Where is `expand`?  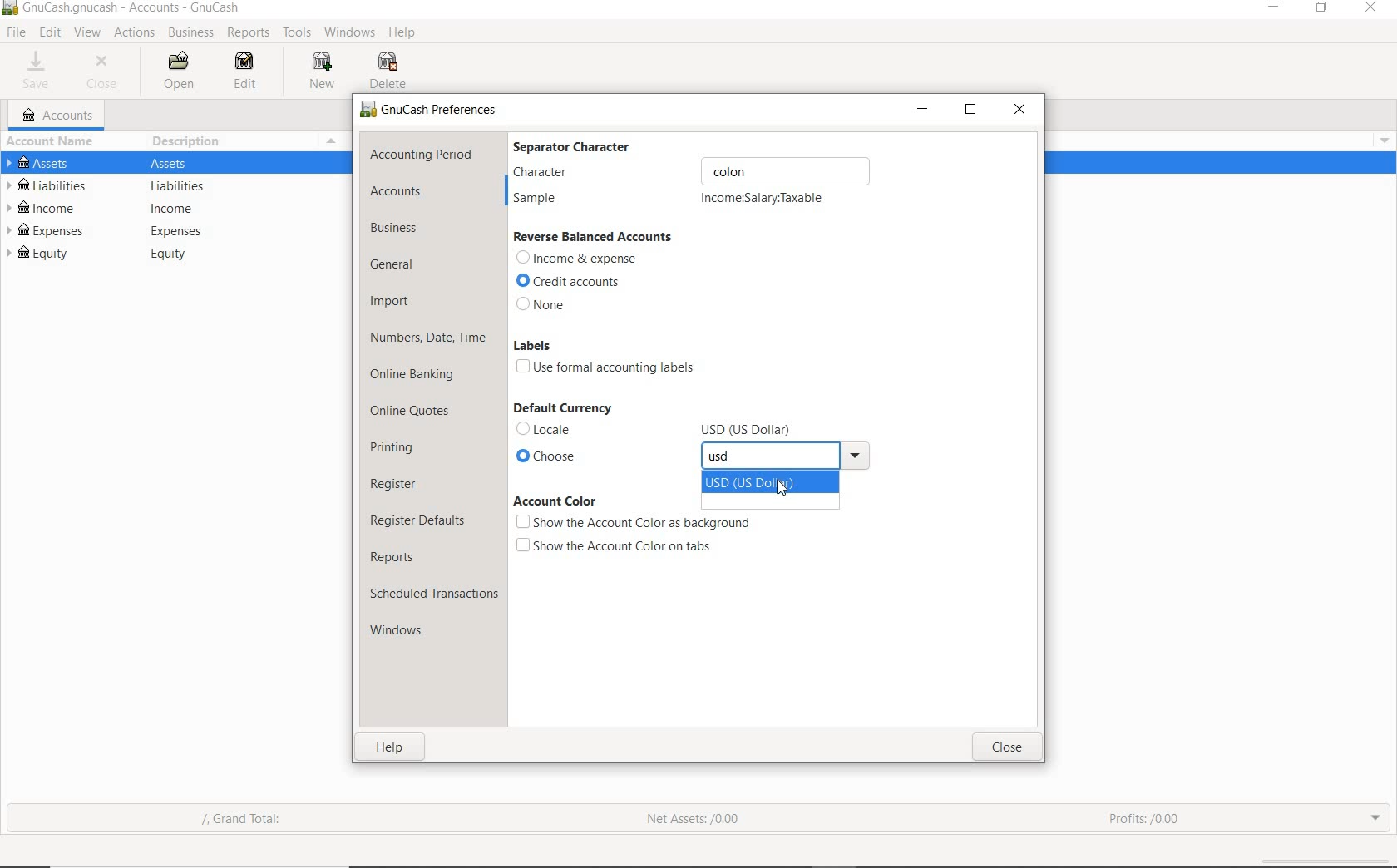
expand is located at coordinates (1376, 818).